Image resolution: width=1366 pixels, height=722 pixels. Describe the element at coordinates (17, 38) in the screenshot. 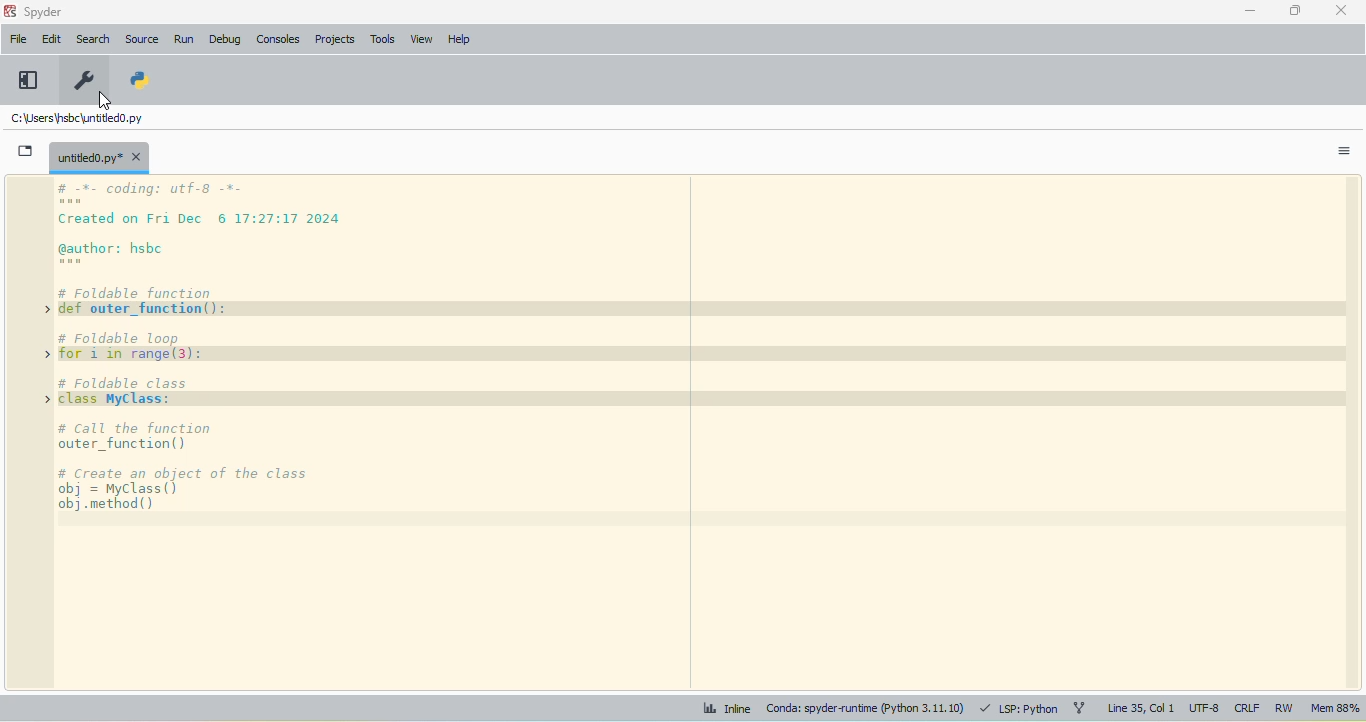

I see `file` at that location.